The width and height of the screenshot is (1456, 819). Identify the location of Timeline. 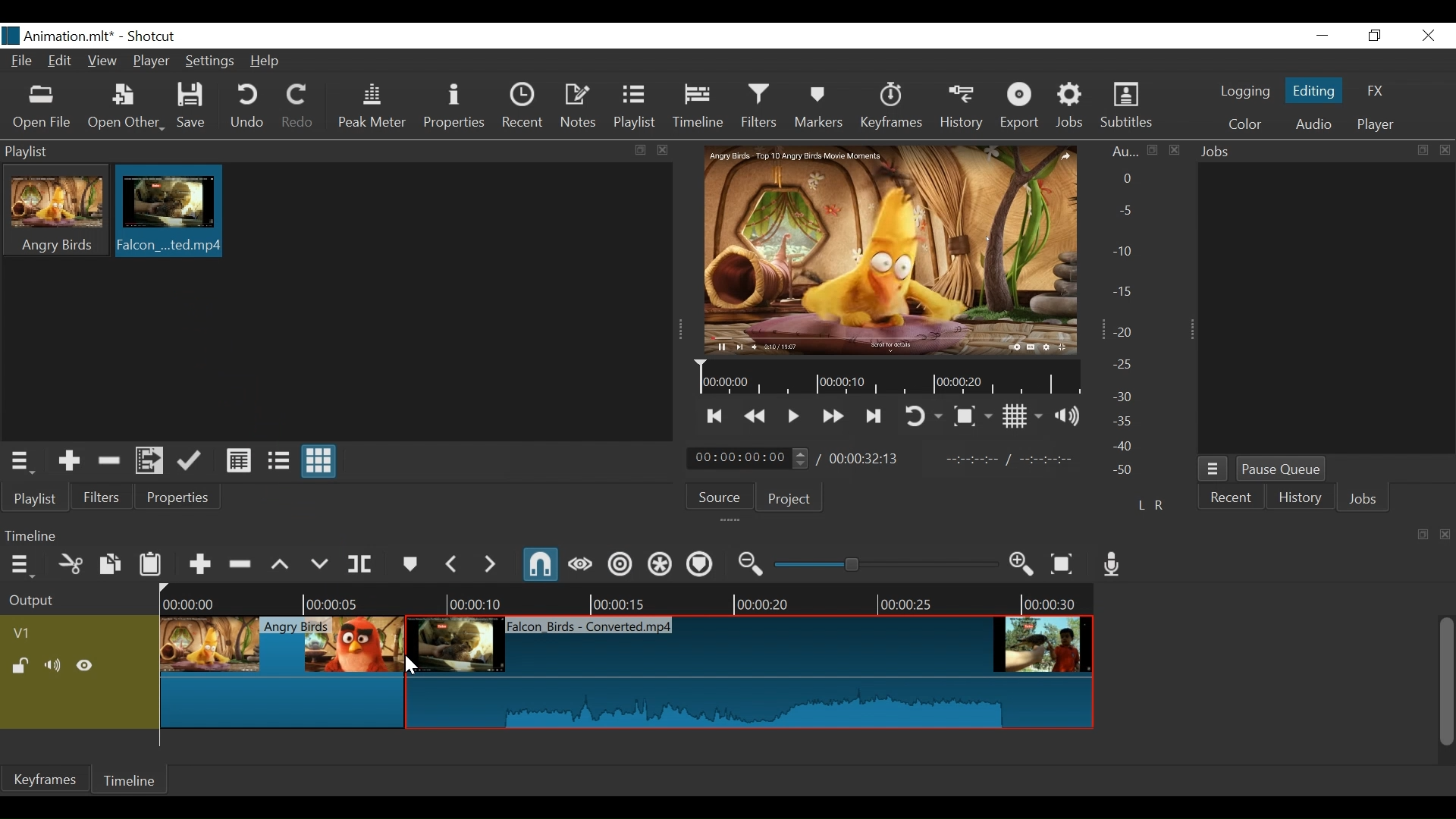
(134, 779).